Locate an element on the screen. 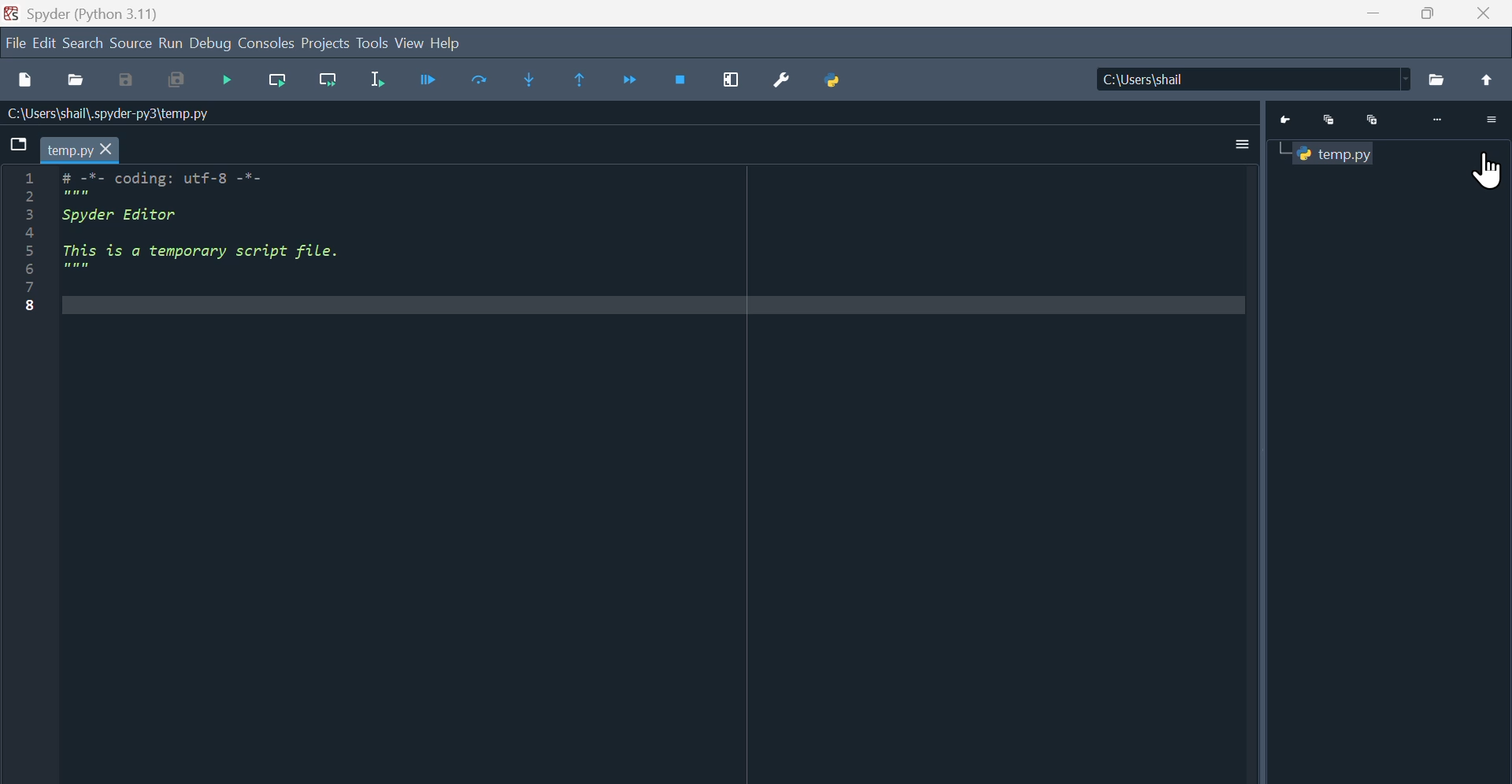  Continue execution until next function is located at coordinates (633, 80).